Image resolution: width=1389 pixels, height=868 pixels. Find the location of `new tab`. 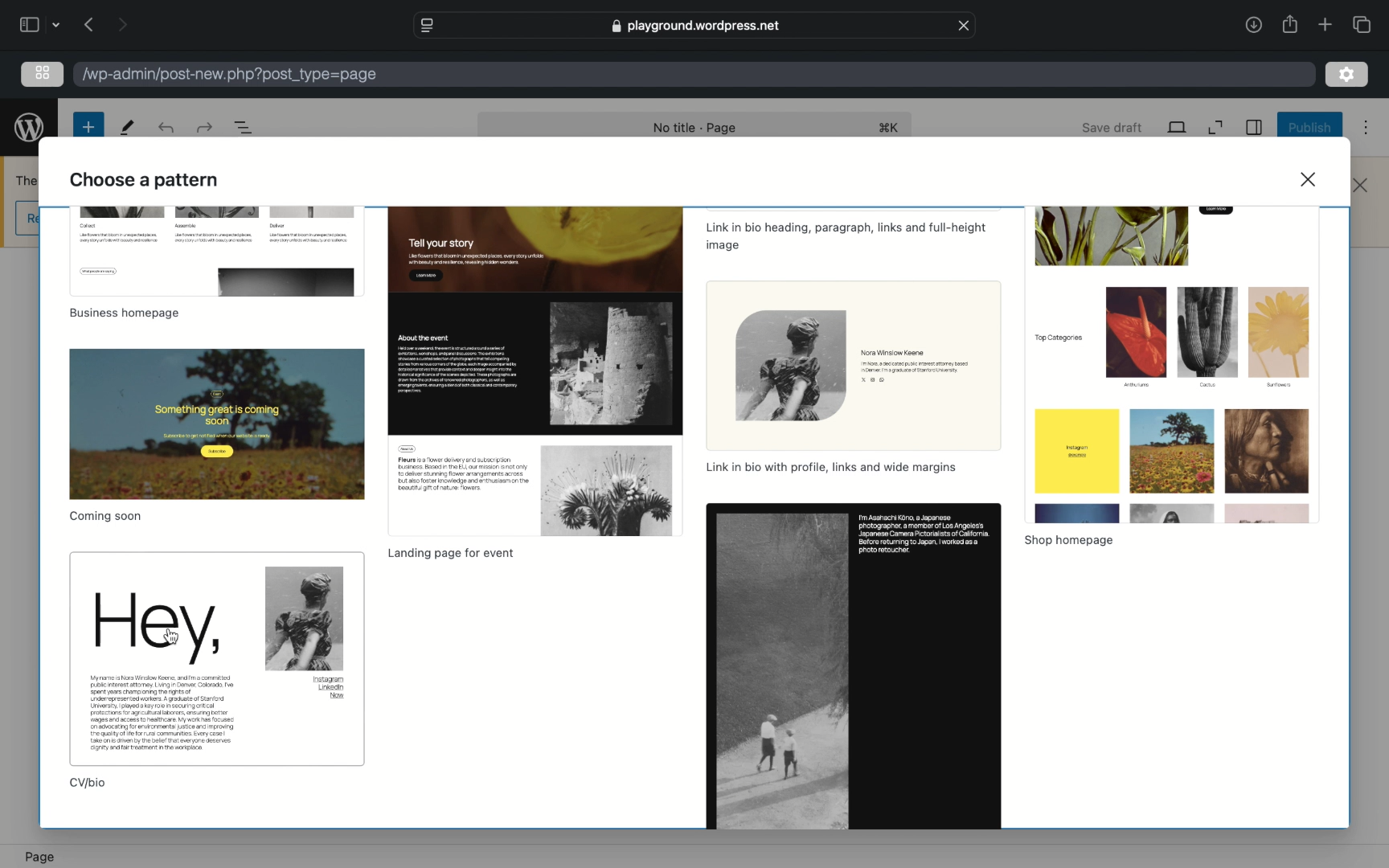

new tab is located at coordinates (1324, 25).